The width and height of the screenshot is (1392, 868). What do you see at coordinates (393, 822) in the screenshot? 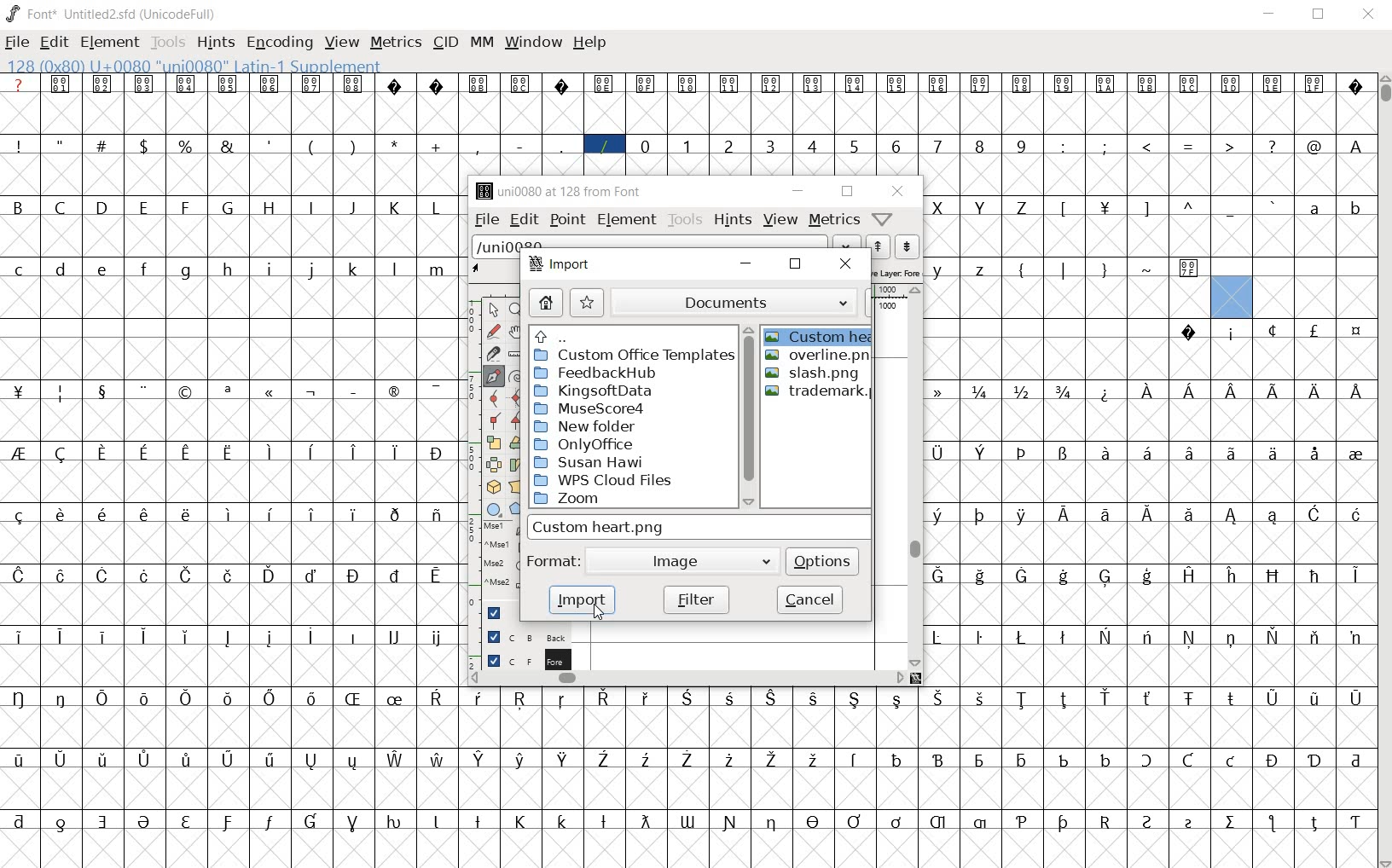
I see `glyph` at bounding box center [393, 822].